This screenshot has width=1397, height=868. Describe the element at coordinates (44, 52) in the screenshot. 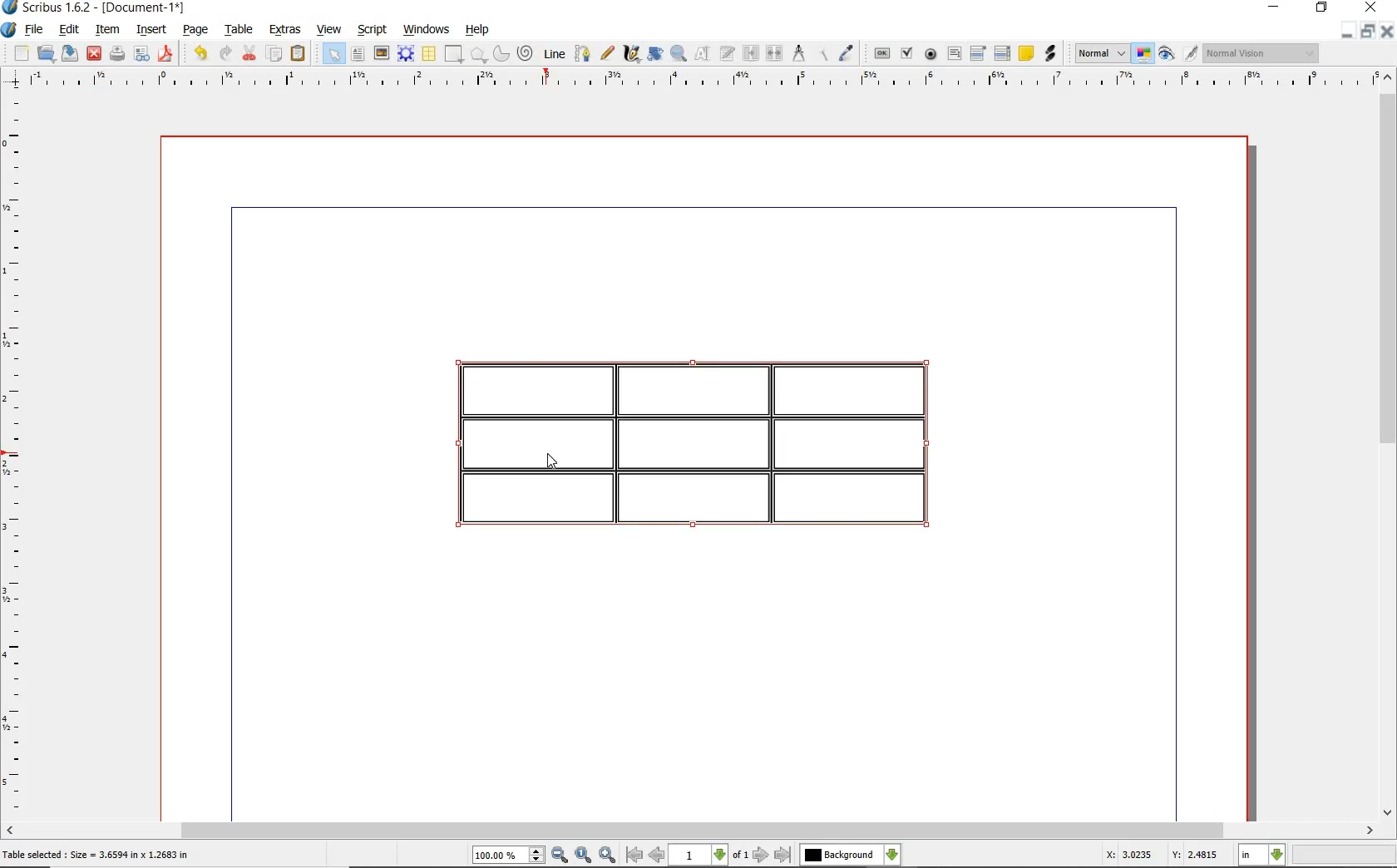

I see `open` at that location.